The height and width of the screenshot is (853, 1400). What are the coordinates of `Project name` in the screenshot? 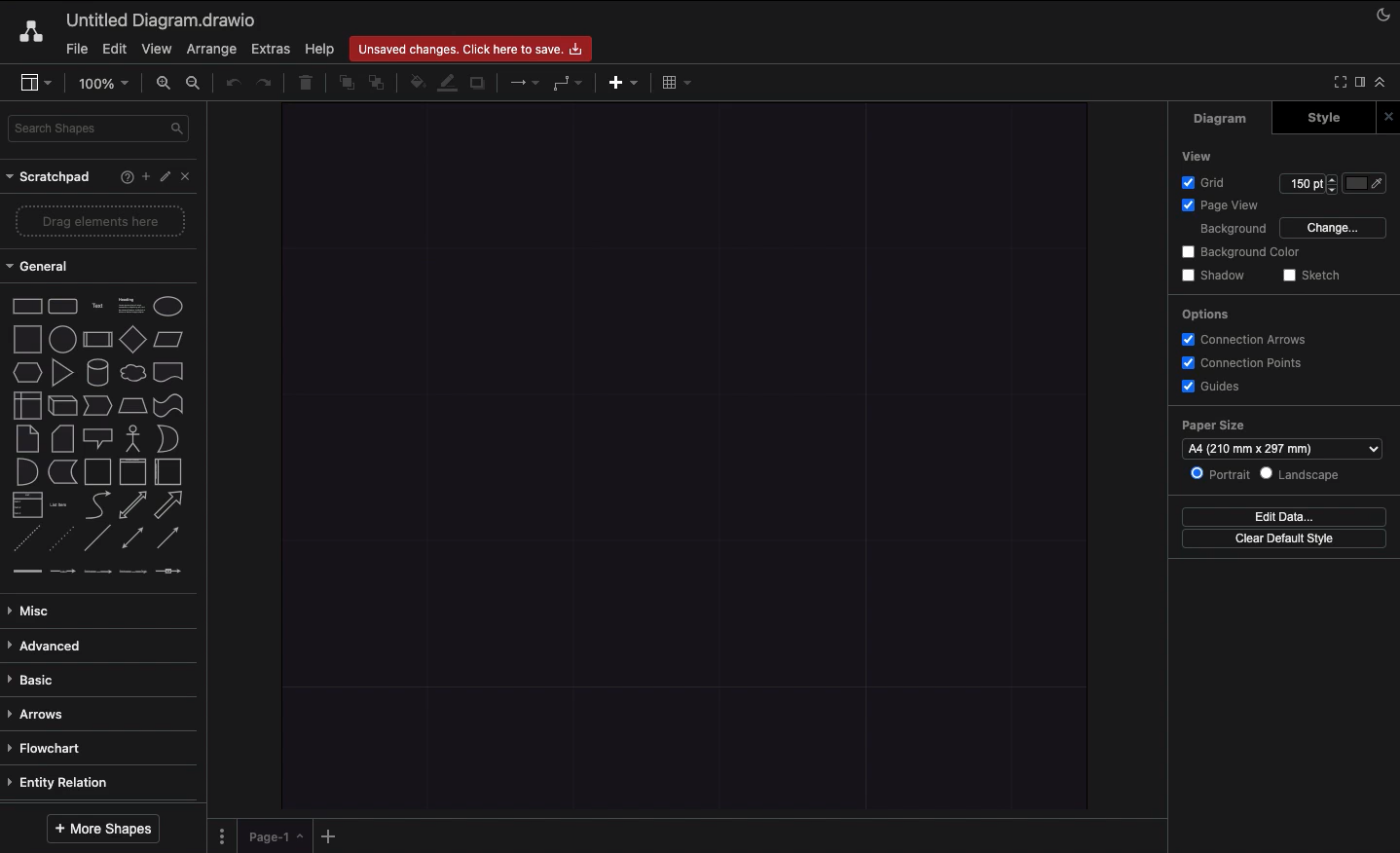 It's located at (163, 19).